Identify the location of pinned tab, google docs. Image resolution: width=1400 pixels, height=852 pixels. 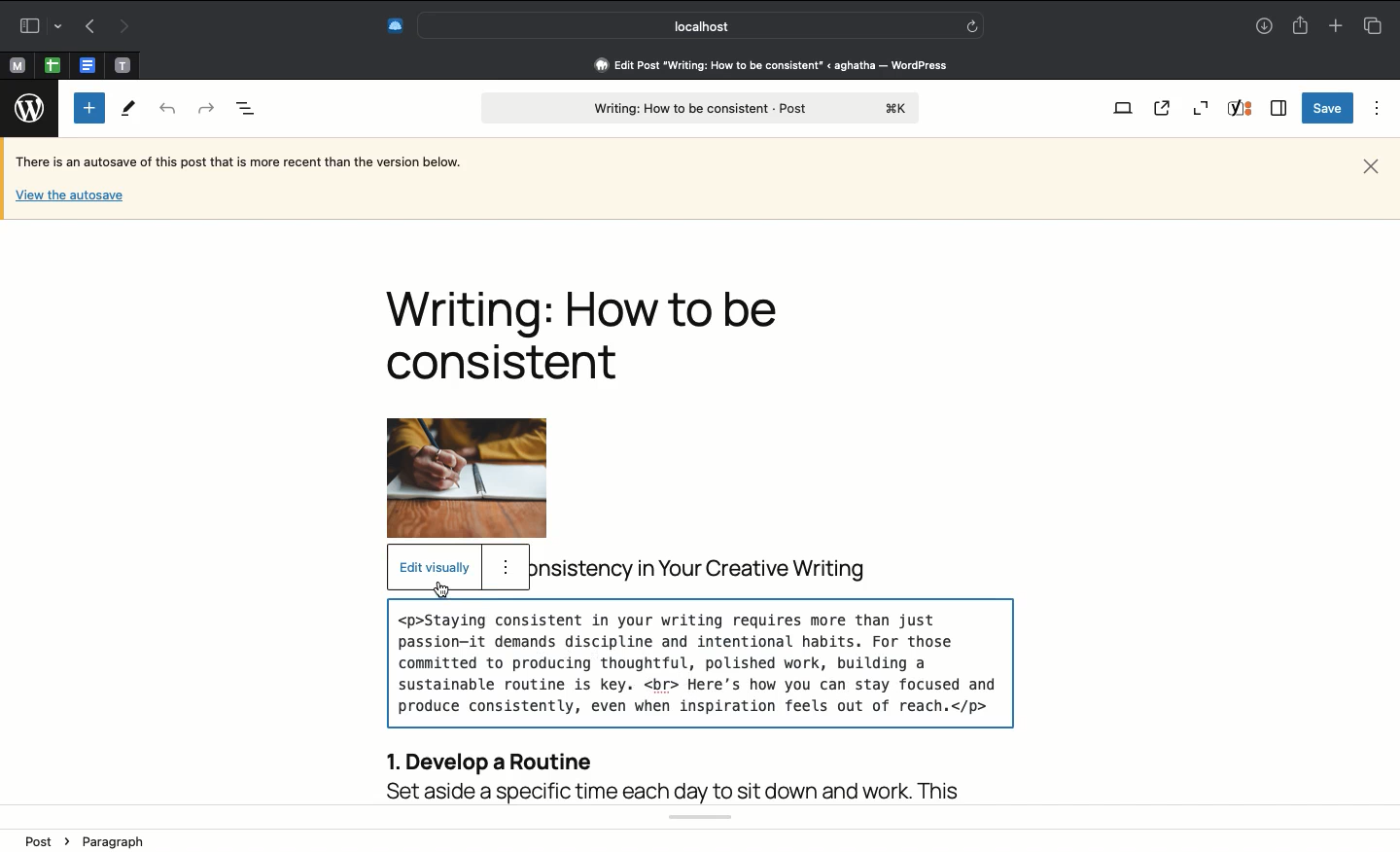
(86, 61).